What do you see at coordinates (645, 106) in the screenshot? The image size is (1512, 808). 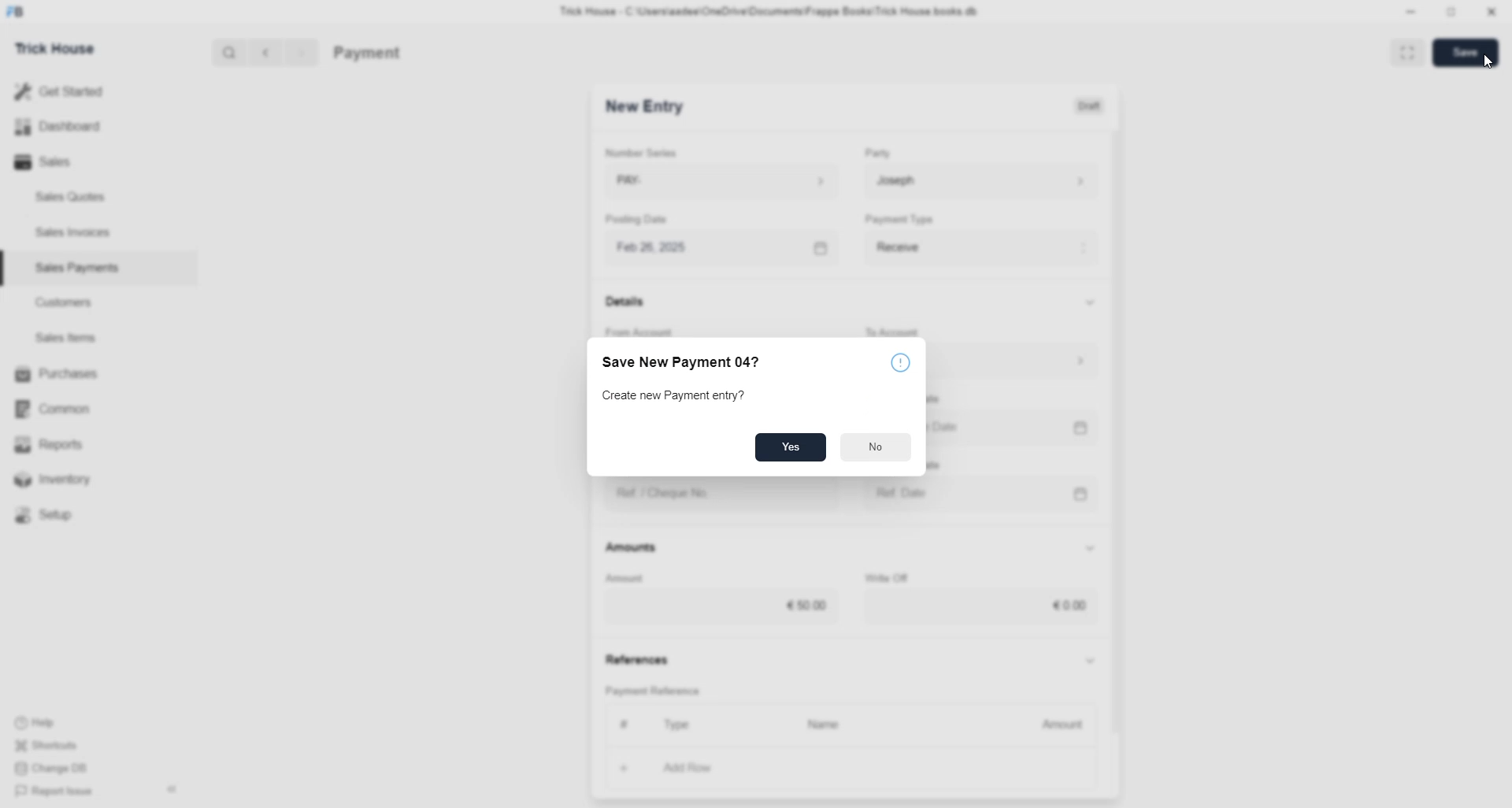 I see `New Entry` at bounding box center [645, 106].